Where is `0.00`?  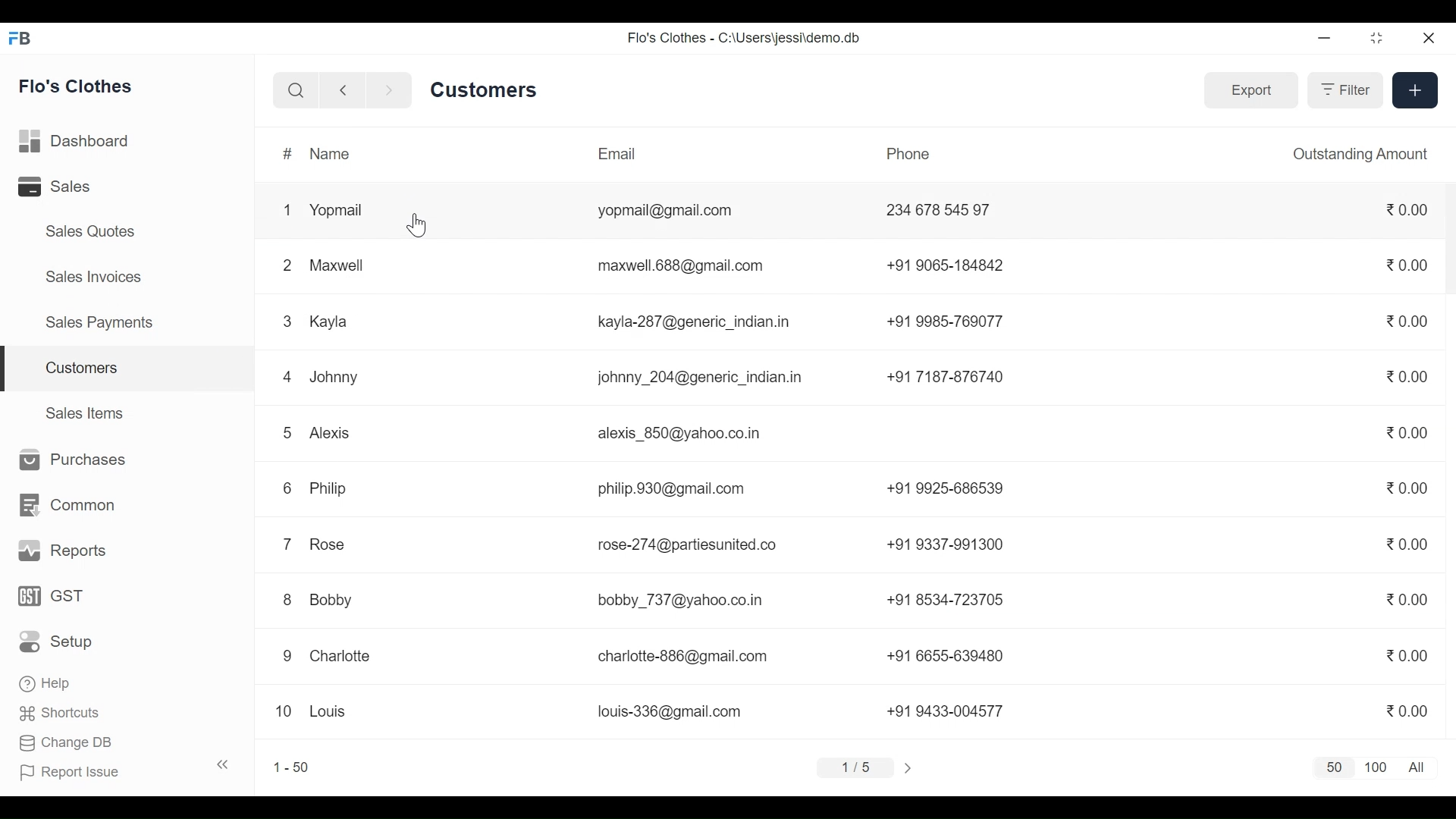
0.00 is located at coordinates (1413, 713).